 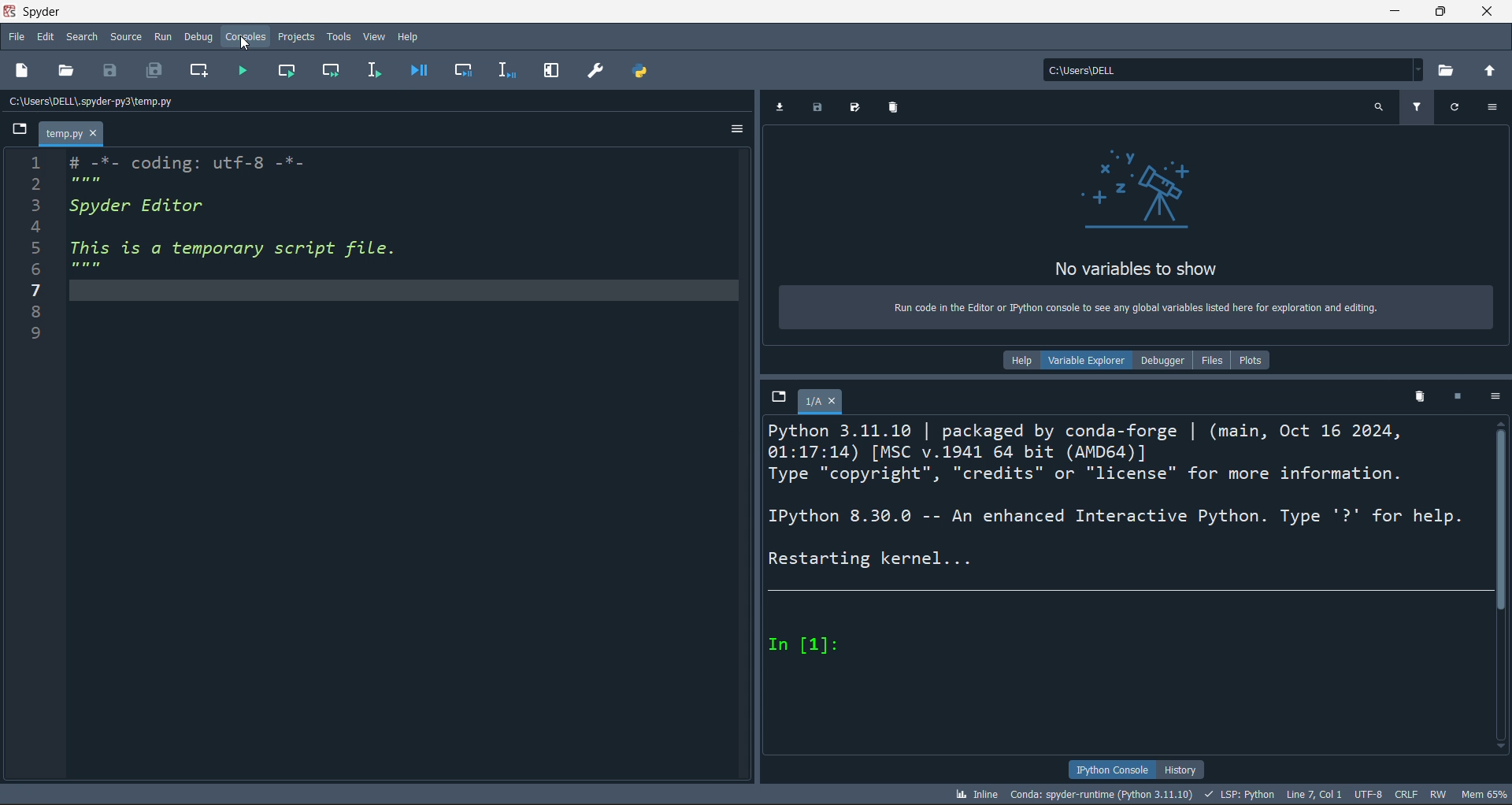 What do you see at coordinates (15, 132) in the screenshot?
I see `browse tabs` at bounding box center [15, 132].